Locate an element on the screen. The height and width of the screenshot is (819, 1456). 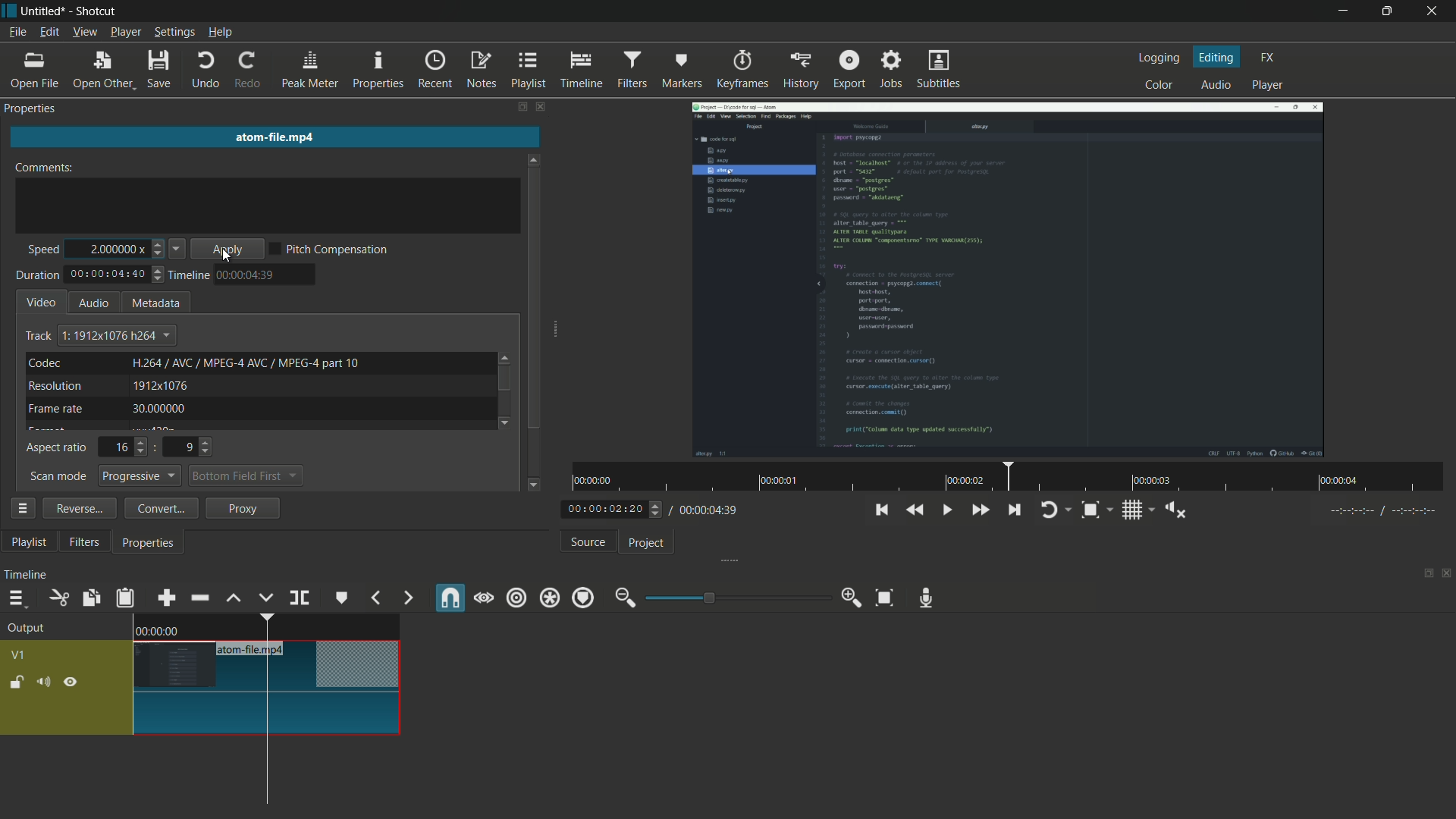
history is located at coordinates (800, 70).